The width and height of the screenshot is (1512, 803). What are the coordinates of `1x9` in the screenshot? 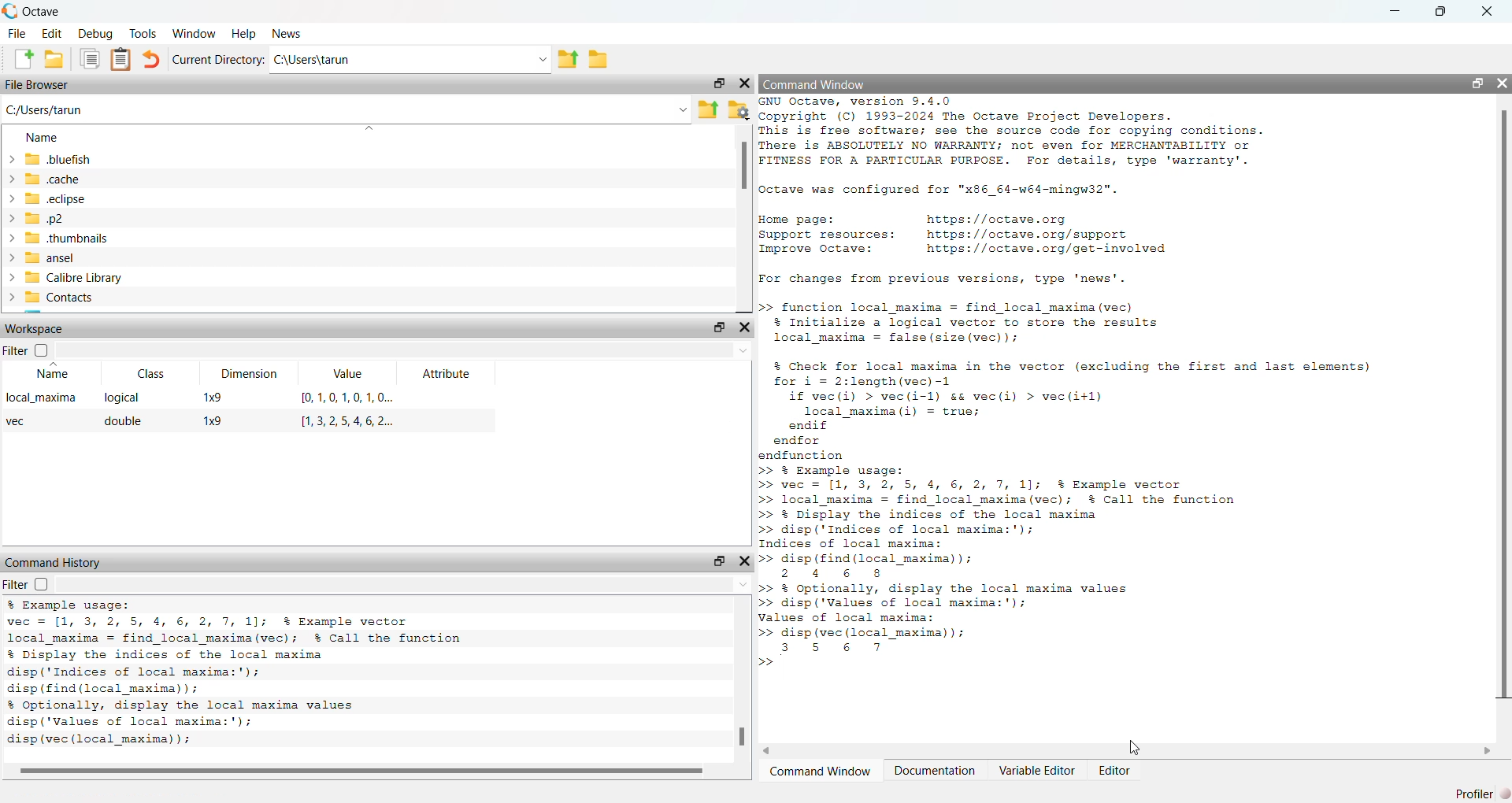 It's located at (212, 398).